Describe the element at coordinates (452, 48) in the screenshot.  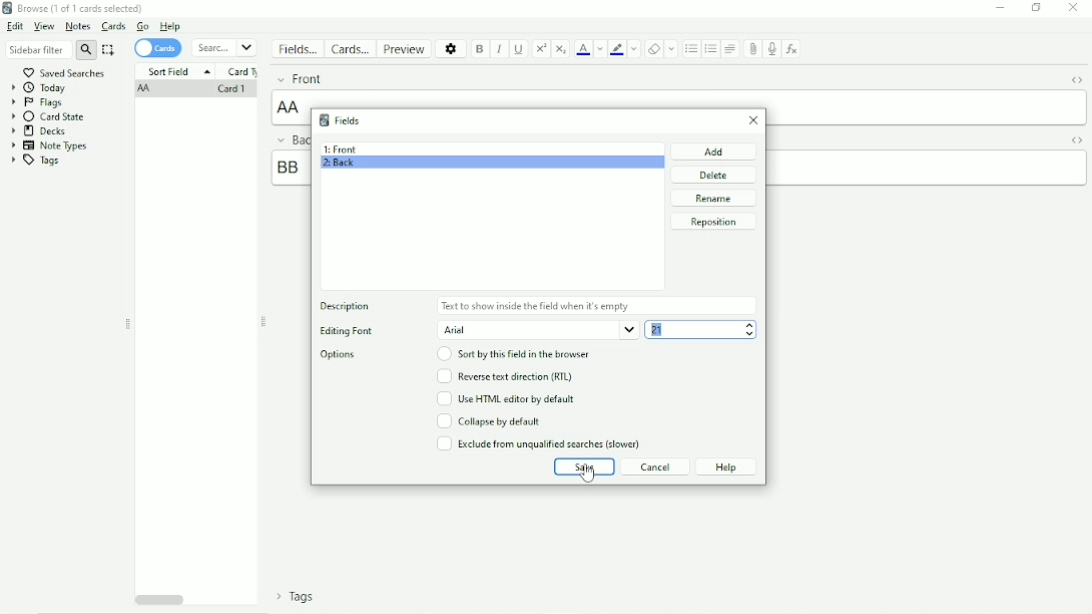
I see `Options` at that location.